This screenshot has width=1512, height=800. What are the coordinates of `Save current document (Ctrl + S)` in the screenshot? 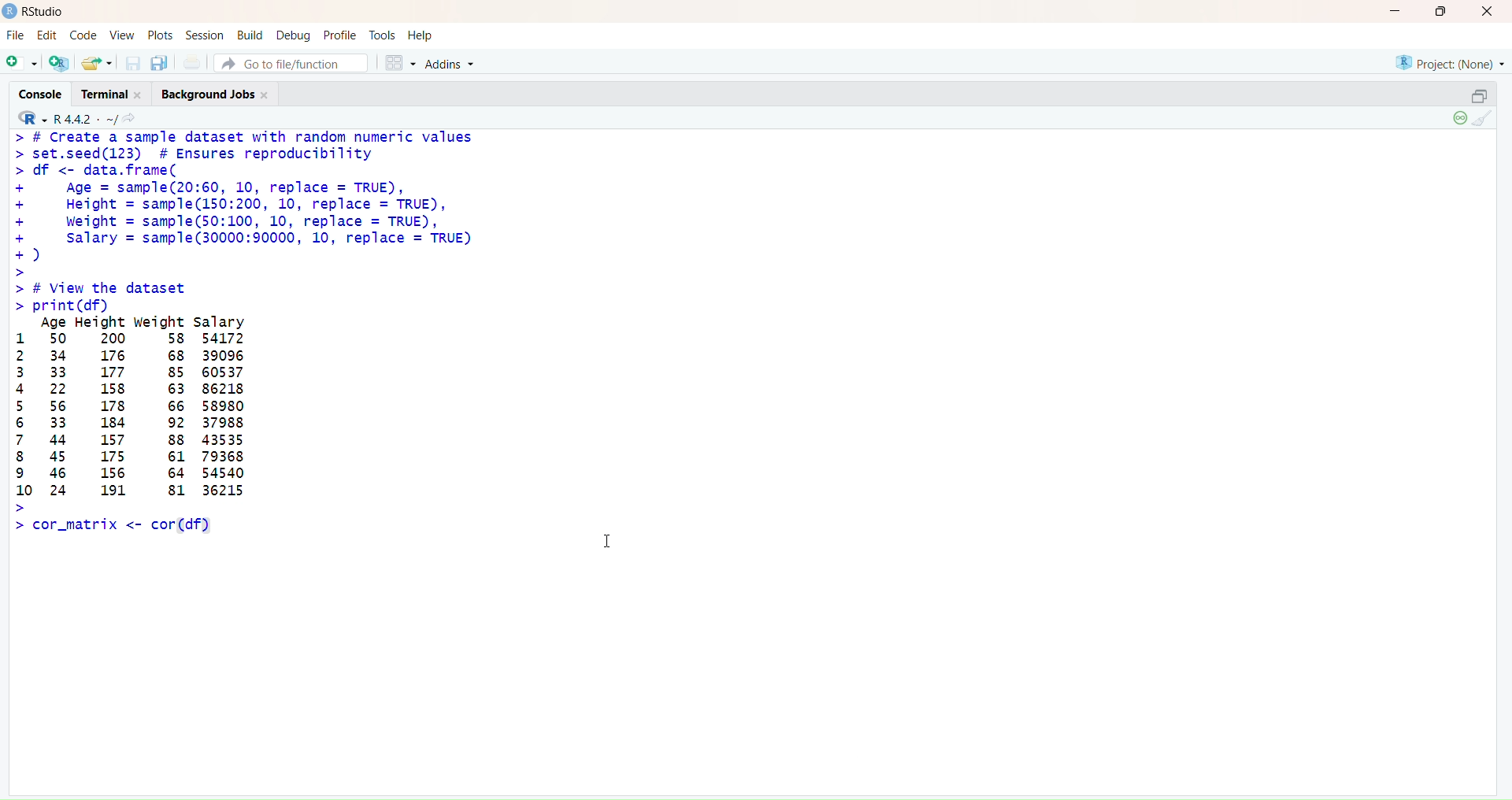 It's located at (132, 63).